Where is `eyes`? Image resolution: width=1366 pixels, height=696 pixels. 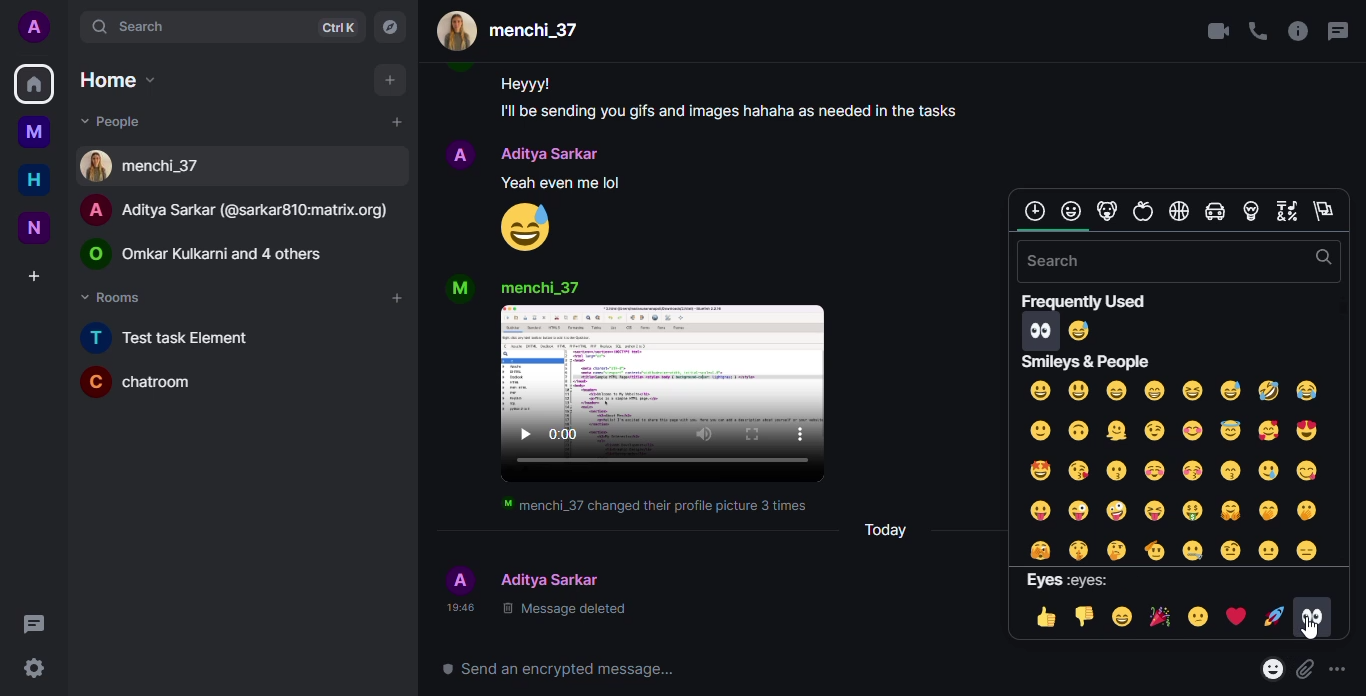
eyes is located at coordinates (1312, 610).